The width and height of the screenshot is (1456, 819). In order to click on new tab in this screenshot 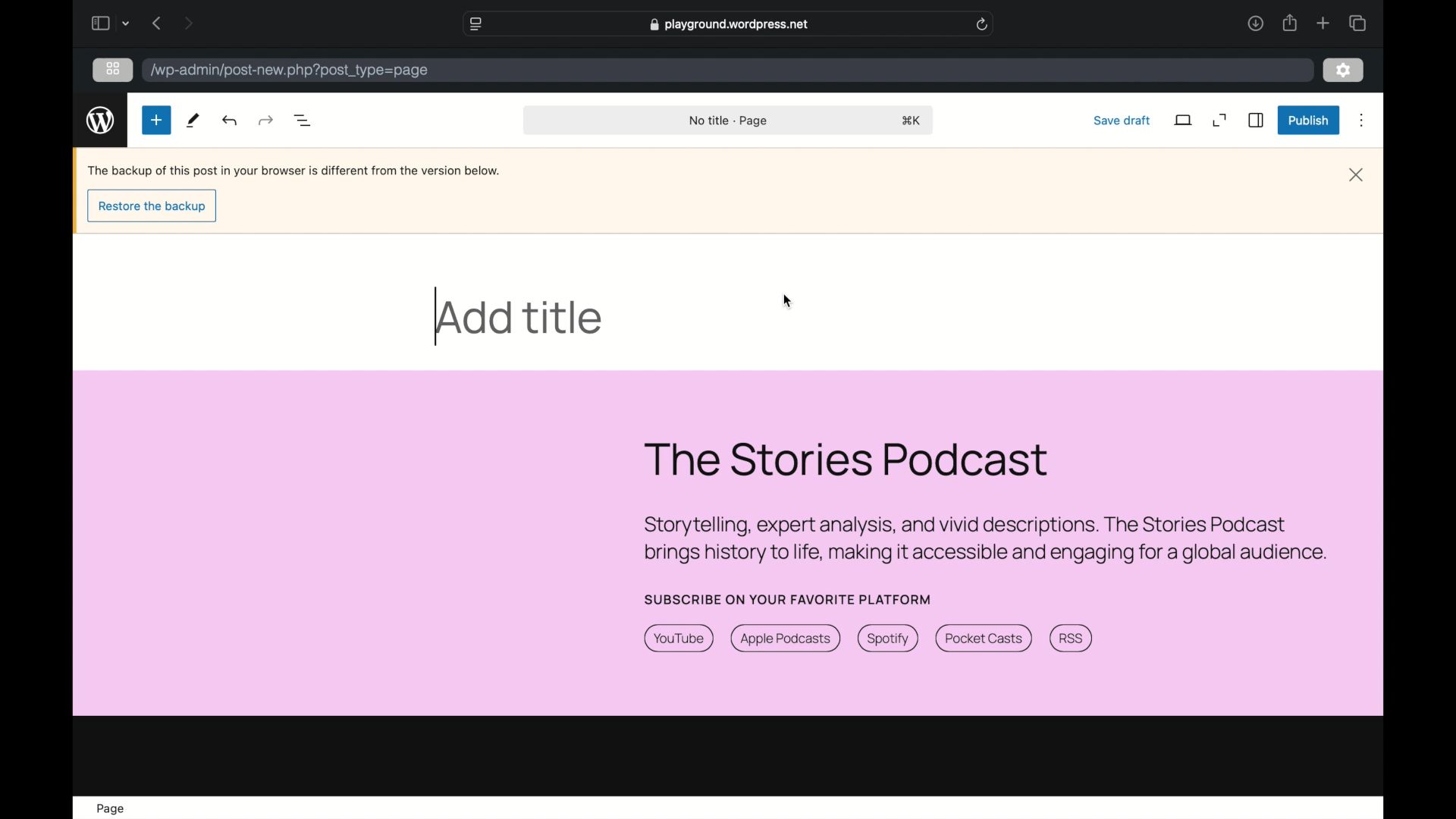, I will do `click(1324, 24)`.